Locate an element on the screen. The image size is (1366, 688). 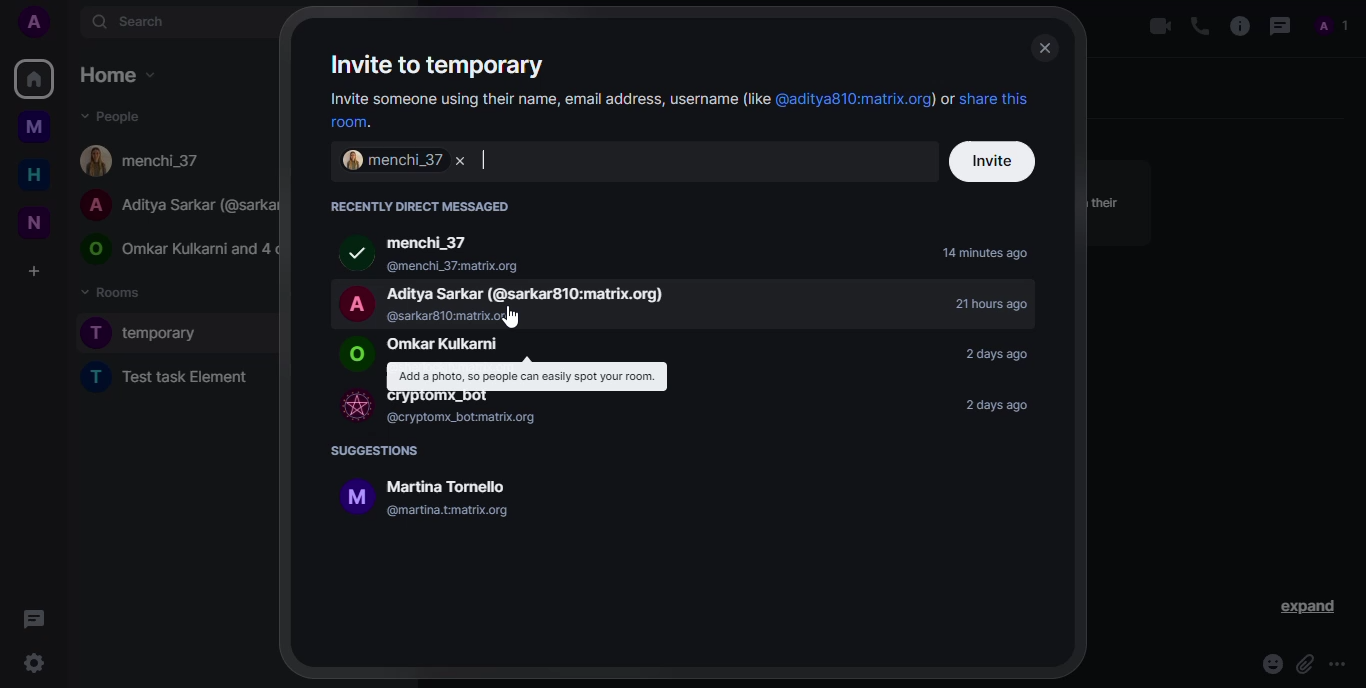
21 hours ago is located at coordinates (984, 305).